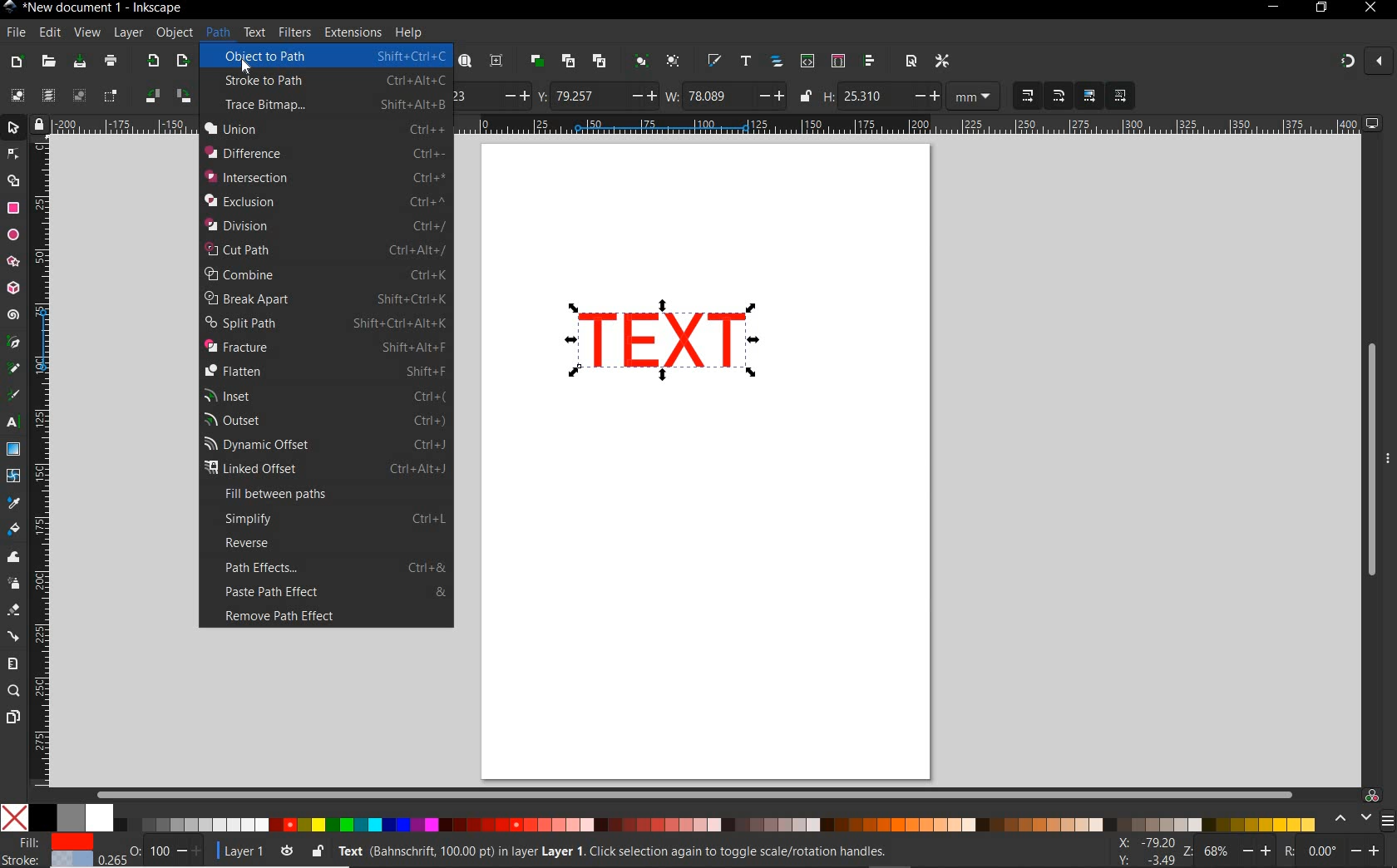 The image size is (1397, 868). I want to click on OUTSET, so click(323, 420).